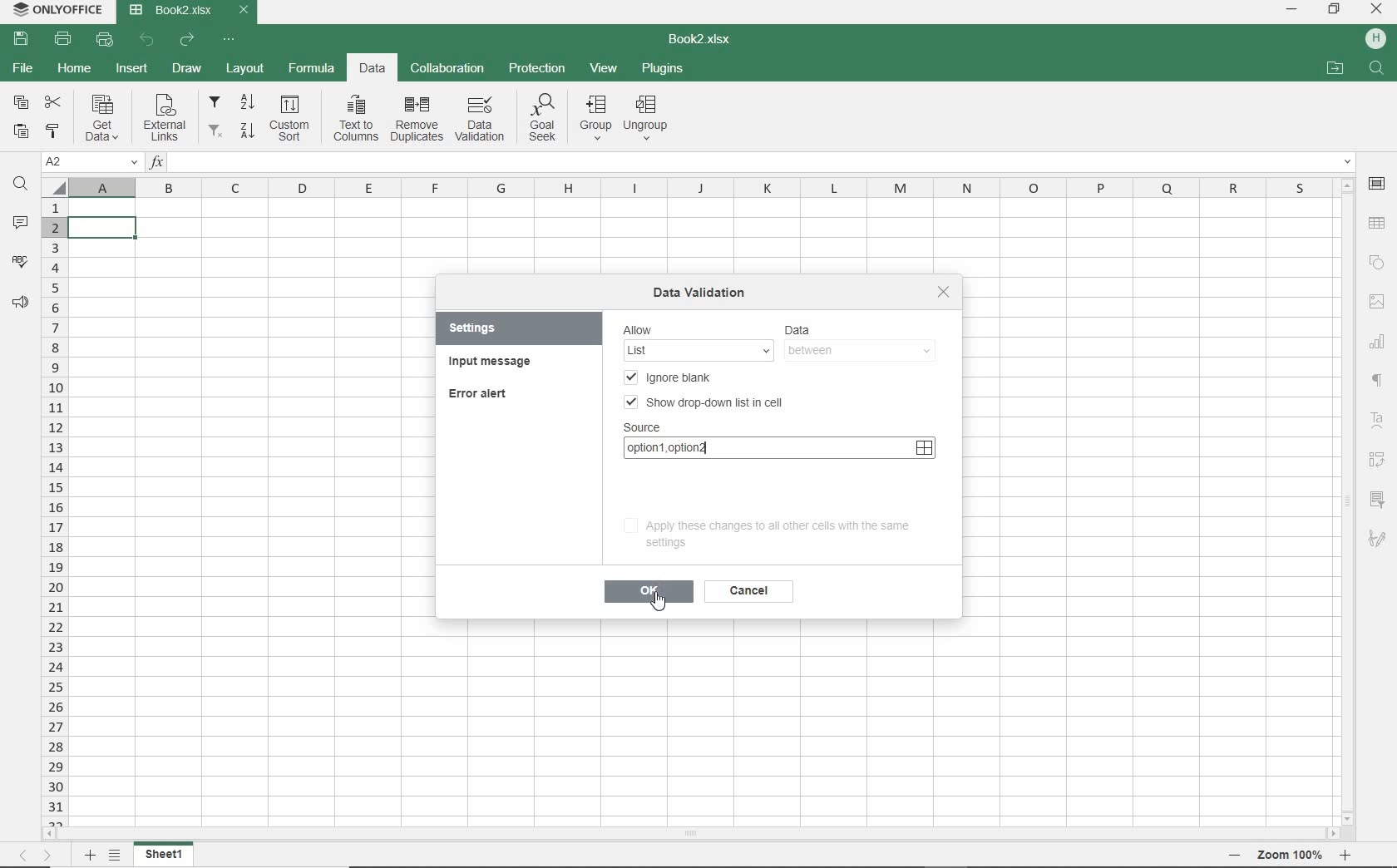 The height and width of the screenshot is (868, 1397). I want to click on data, so click(817, 330).